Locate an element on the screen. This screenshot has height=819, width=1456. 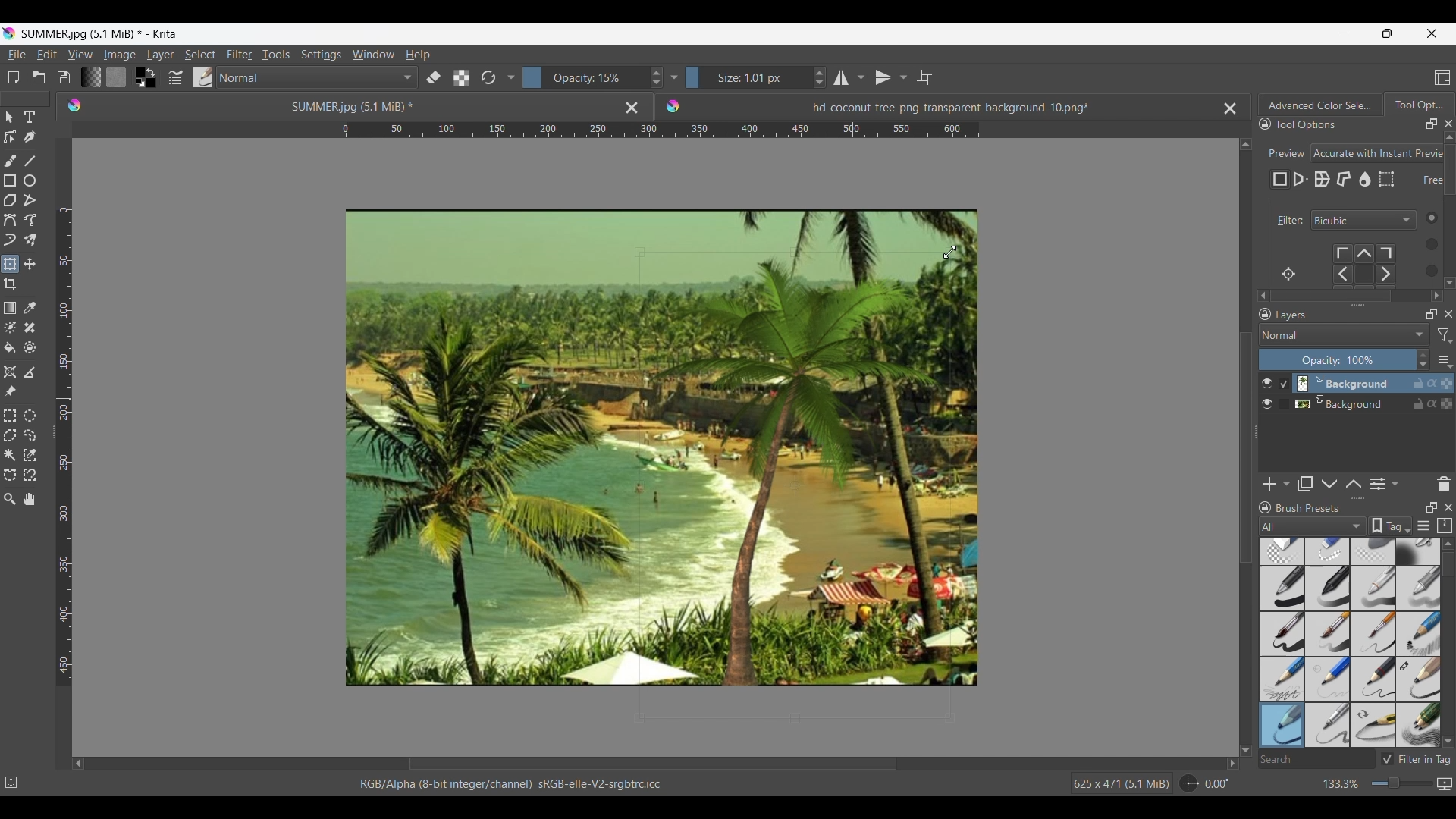
Move layer/mask up is located at coordinates (1354, 484).